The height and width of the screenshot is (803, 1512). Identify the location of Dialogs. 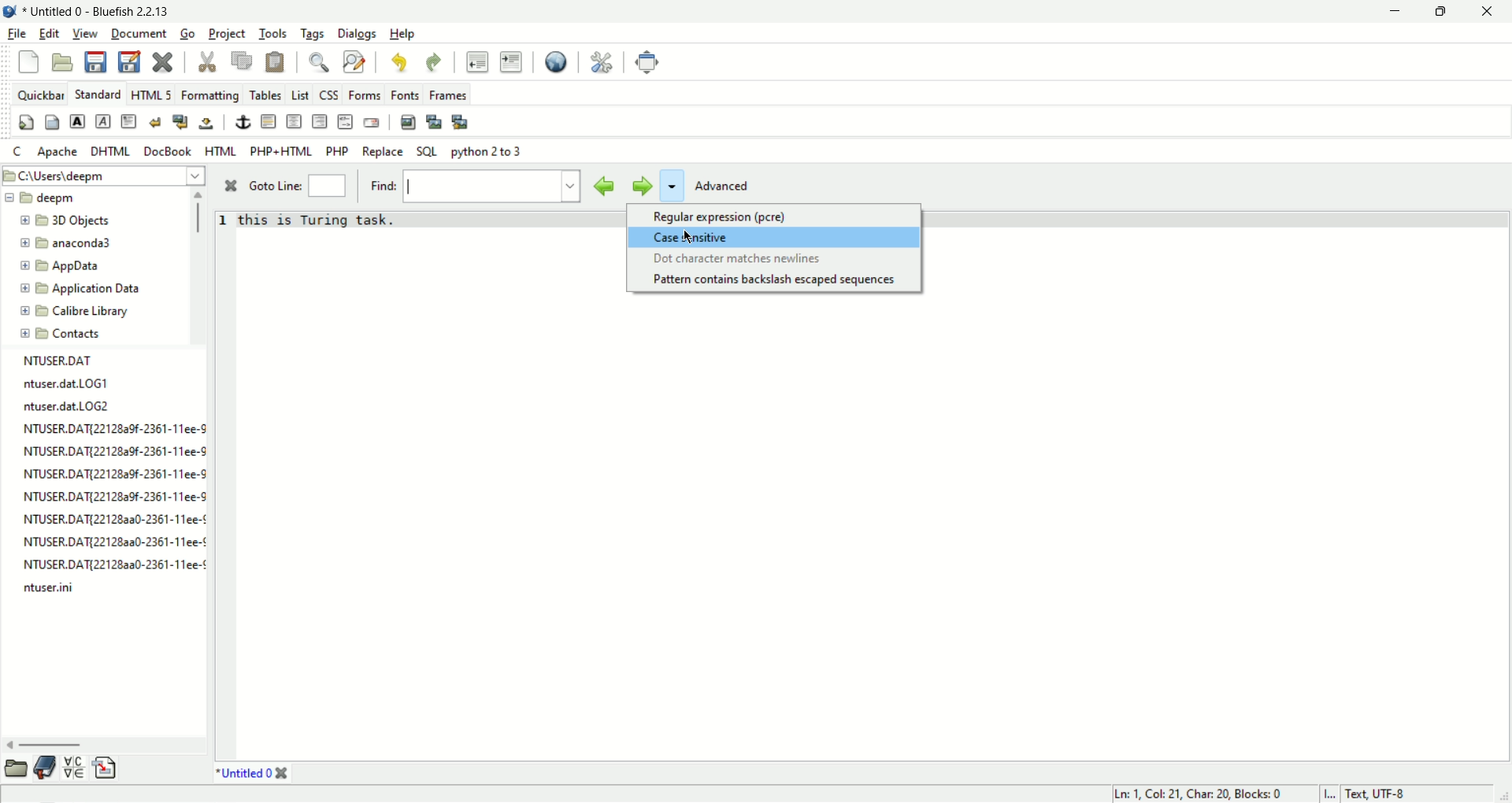
(357, 33).